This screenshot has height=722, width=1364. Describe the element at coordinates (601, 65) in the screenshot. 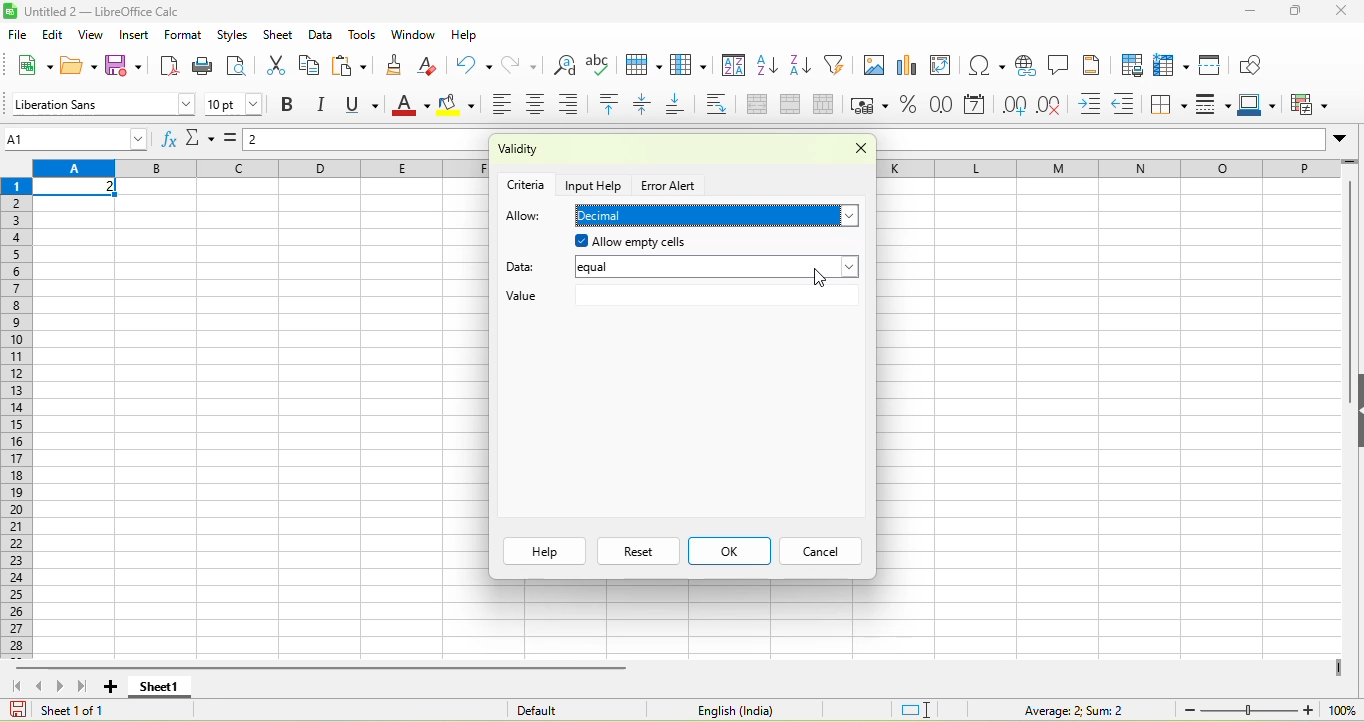

I see `spelling` at that location.